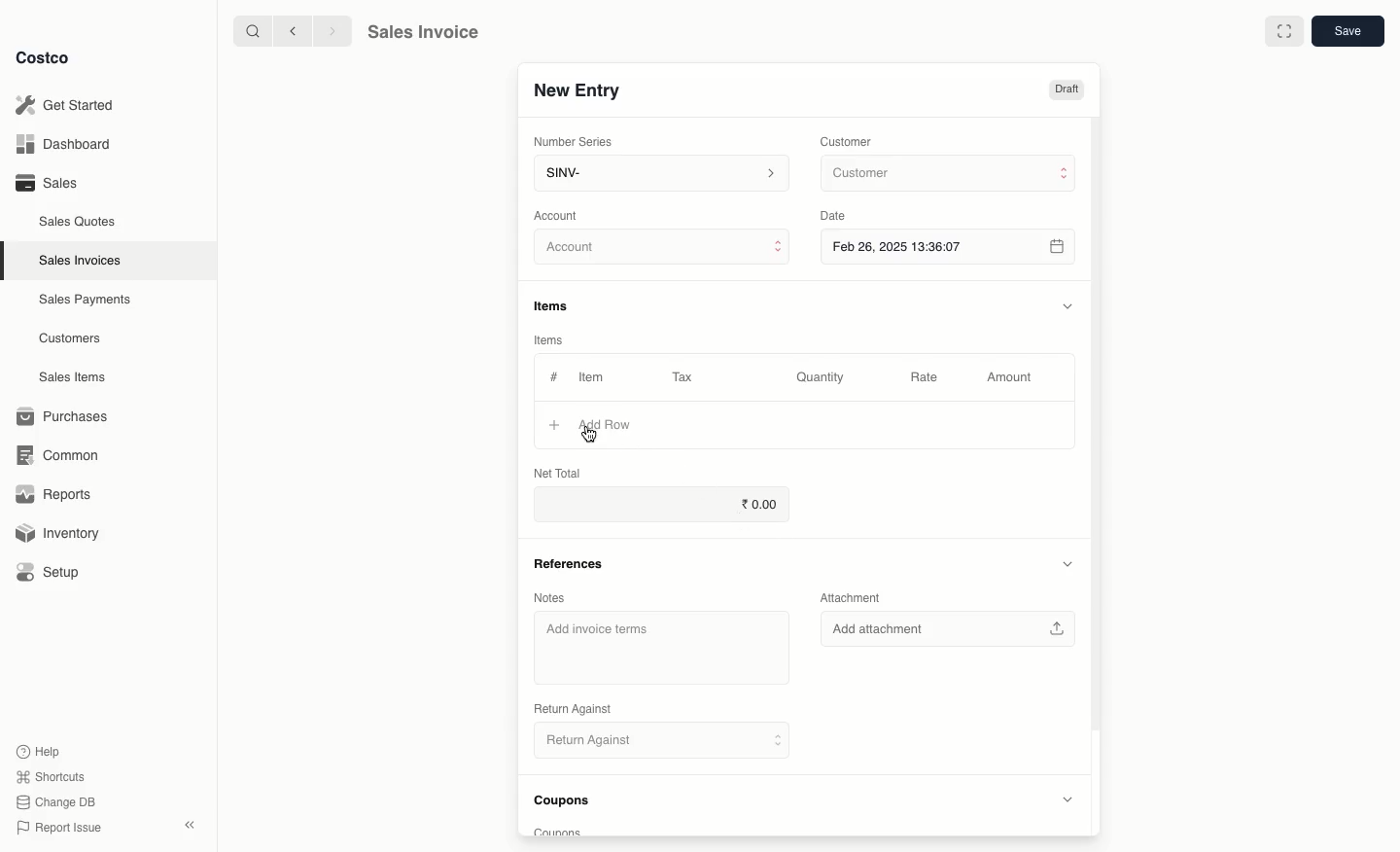  Describe the element at coordinates (558, 305) in the screenshot. I see `Items` at that location.